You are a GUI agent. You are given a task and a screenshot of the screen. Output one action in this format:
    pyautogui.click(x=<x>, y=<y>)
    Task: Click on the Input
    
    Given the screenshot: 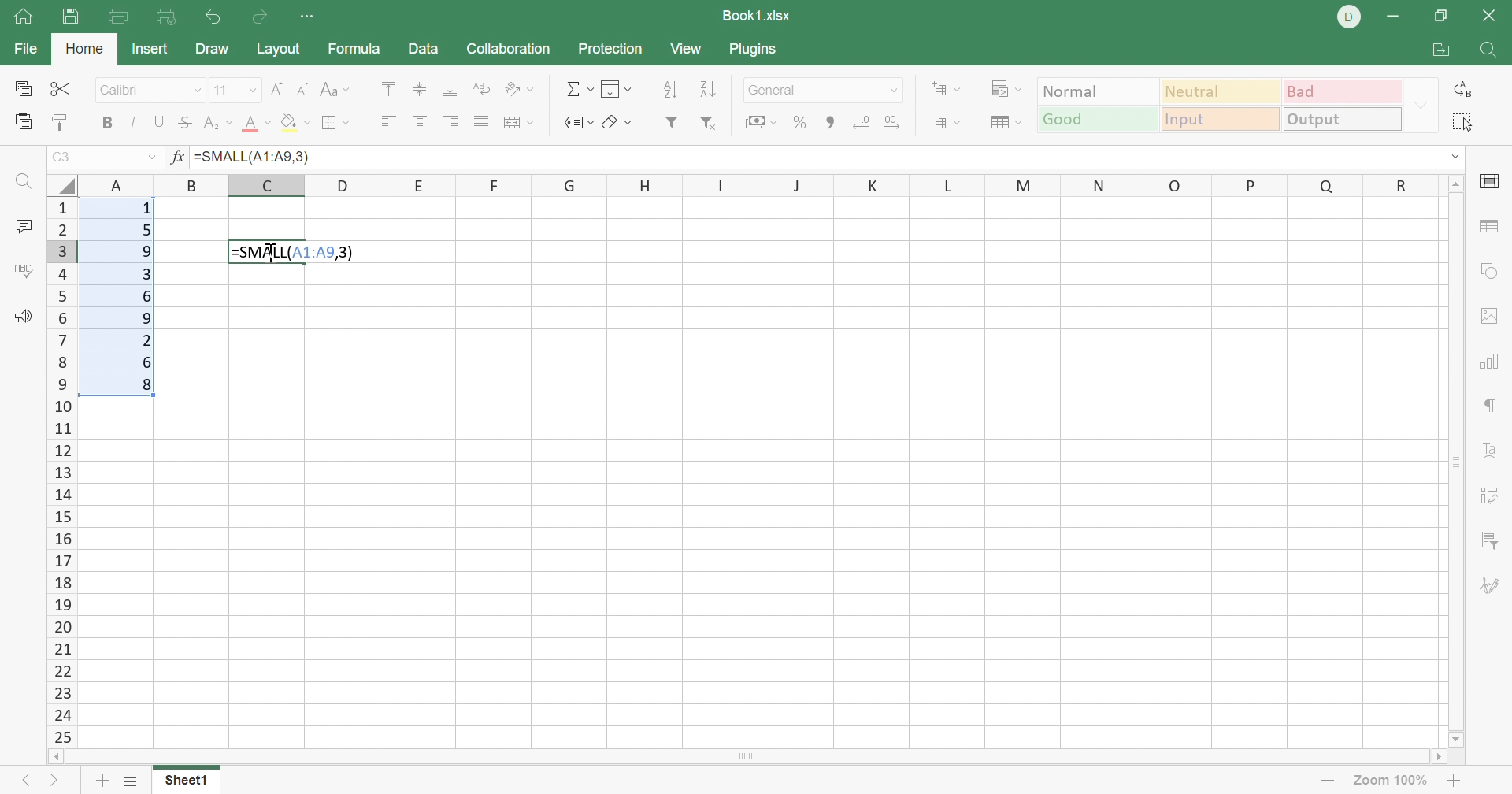 What is the action you would take?
    pyautogui.click(x=1221, y=118)
    